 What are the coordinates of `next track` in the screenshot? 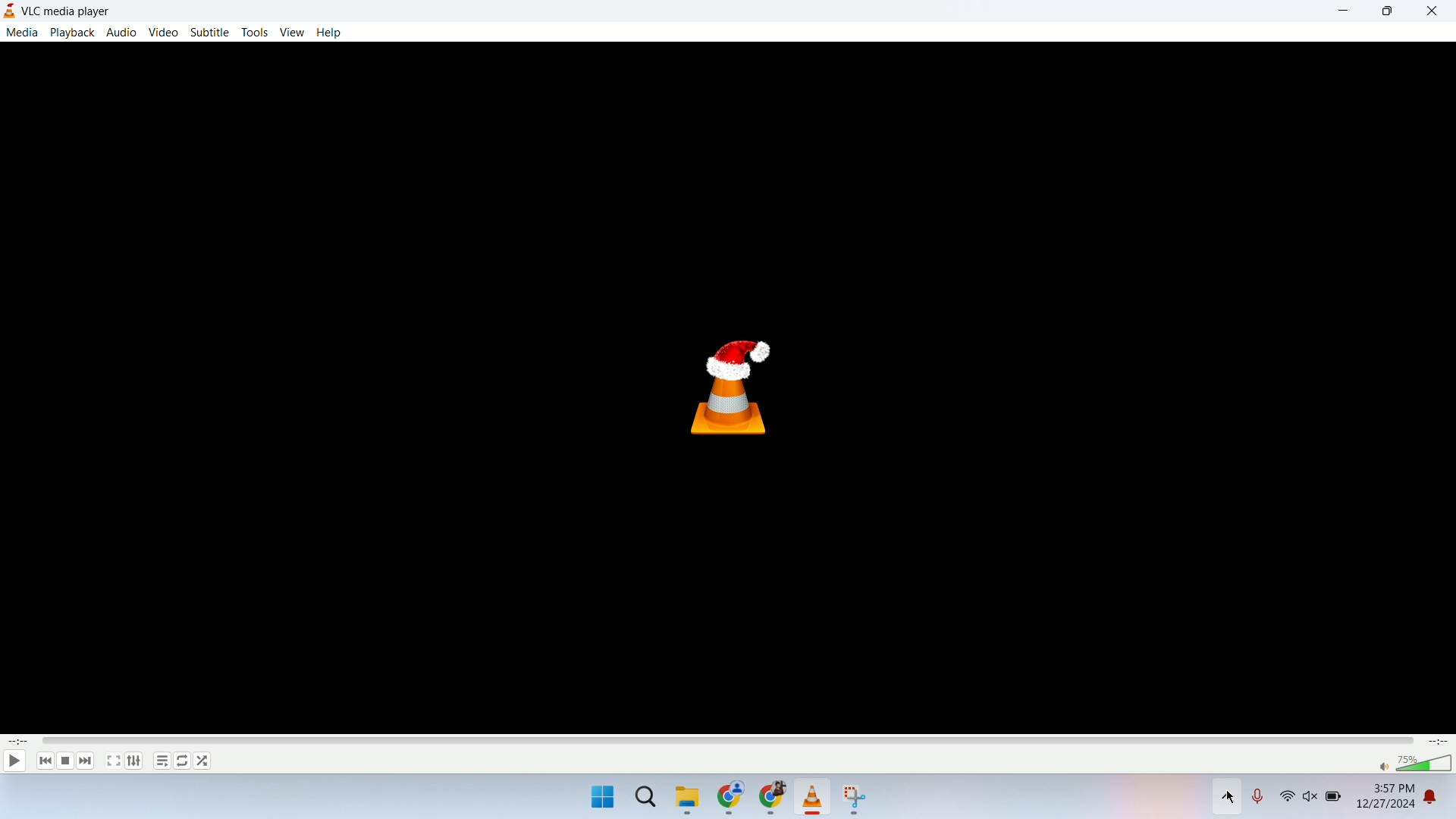 It's located at (86, 761).